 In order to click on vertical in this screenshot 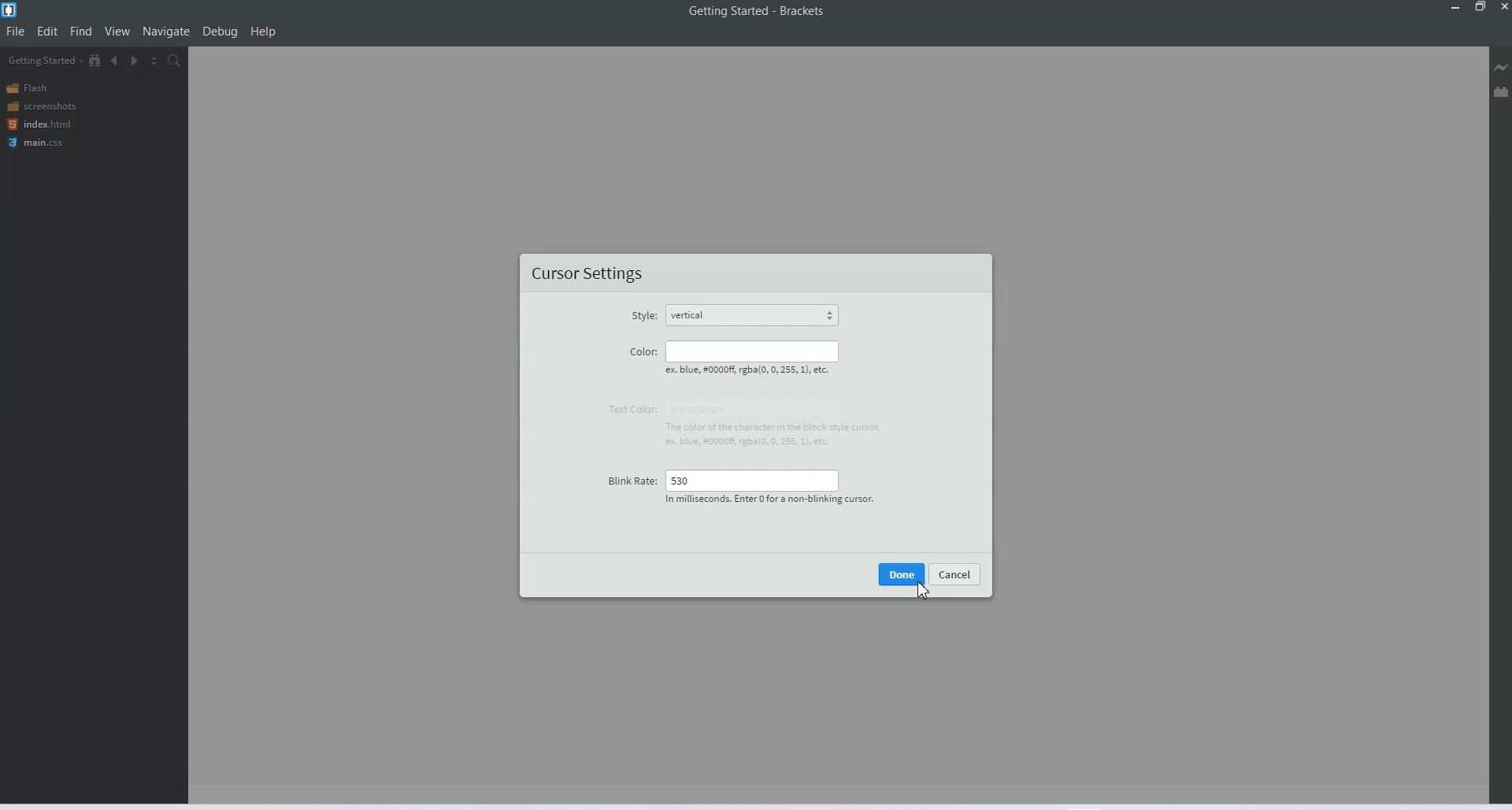, I will do `click(752, 315)`.